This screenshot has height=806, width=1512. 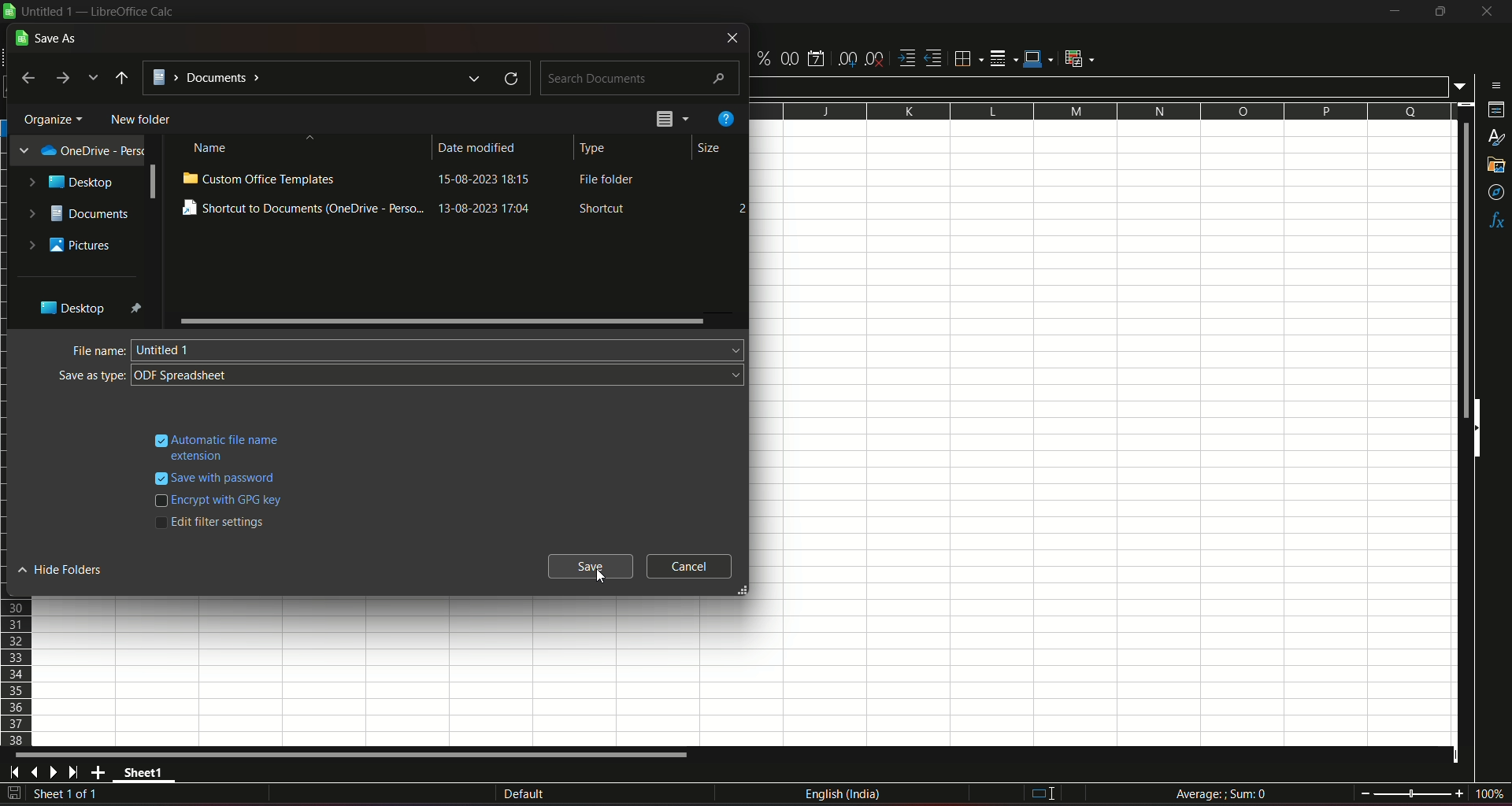 I want to click on 15-08-2023 18:15, so click(x=492, y=183).